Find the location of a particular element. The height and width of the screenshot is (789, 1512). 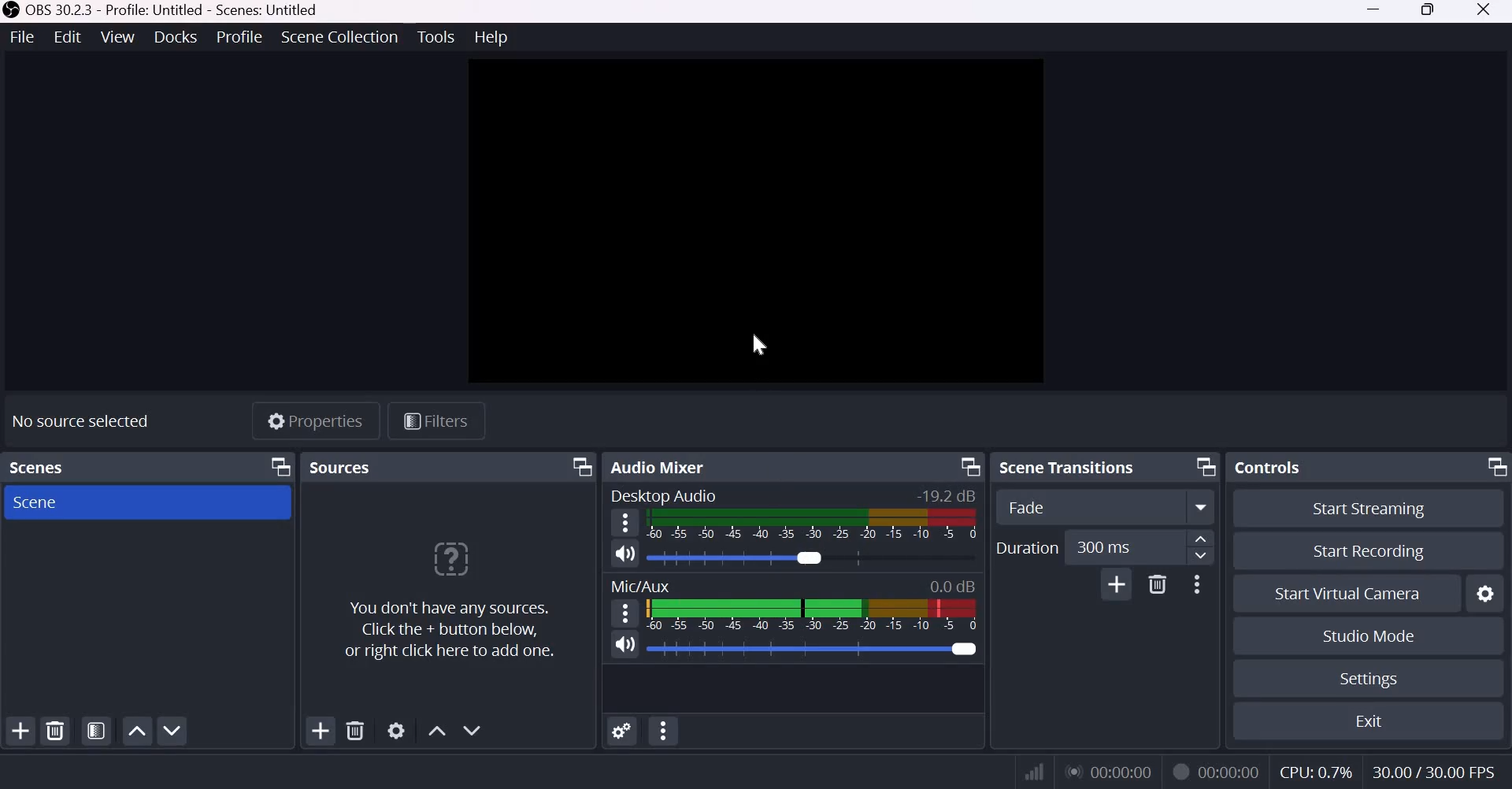

00:00:00 is located at coordinates (1232, 769).